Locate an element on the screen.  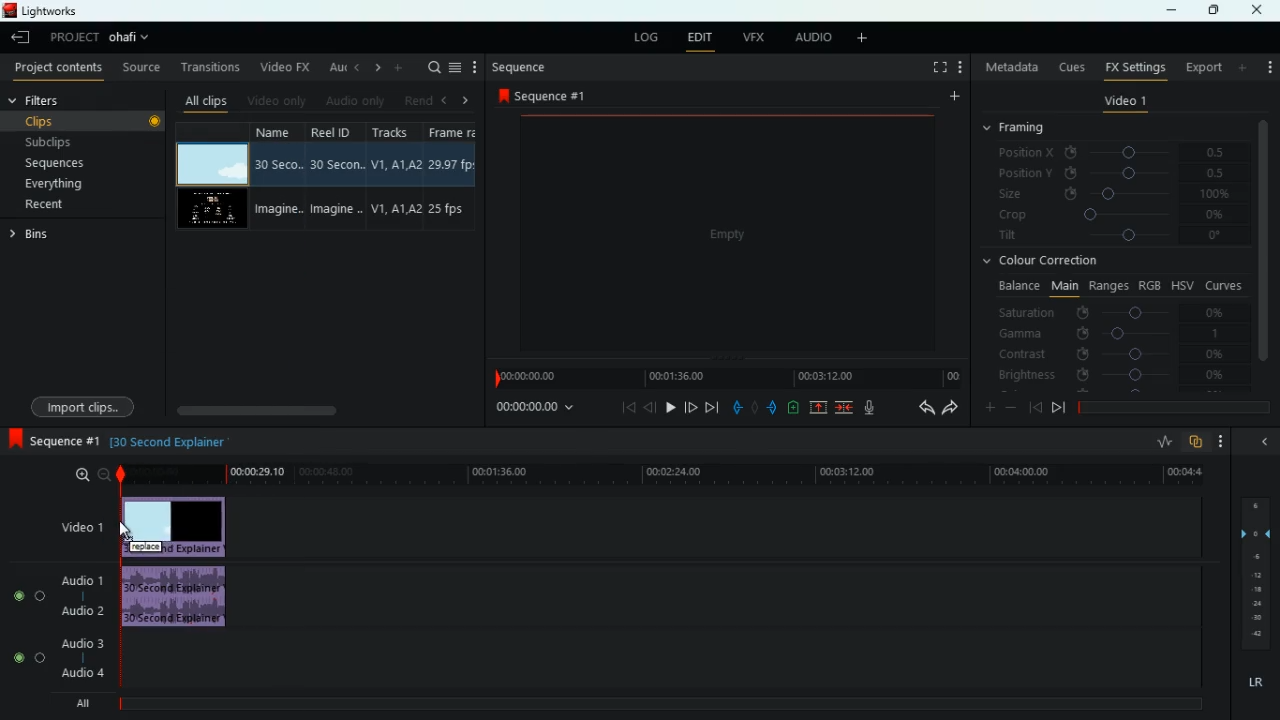
layers is located at coordinates (1253, 570).